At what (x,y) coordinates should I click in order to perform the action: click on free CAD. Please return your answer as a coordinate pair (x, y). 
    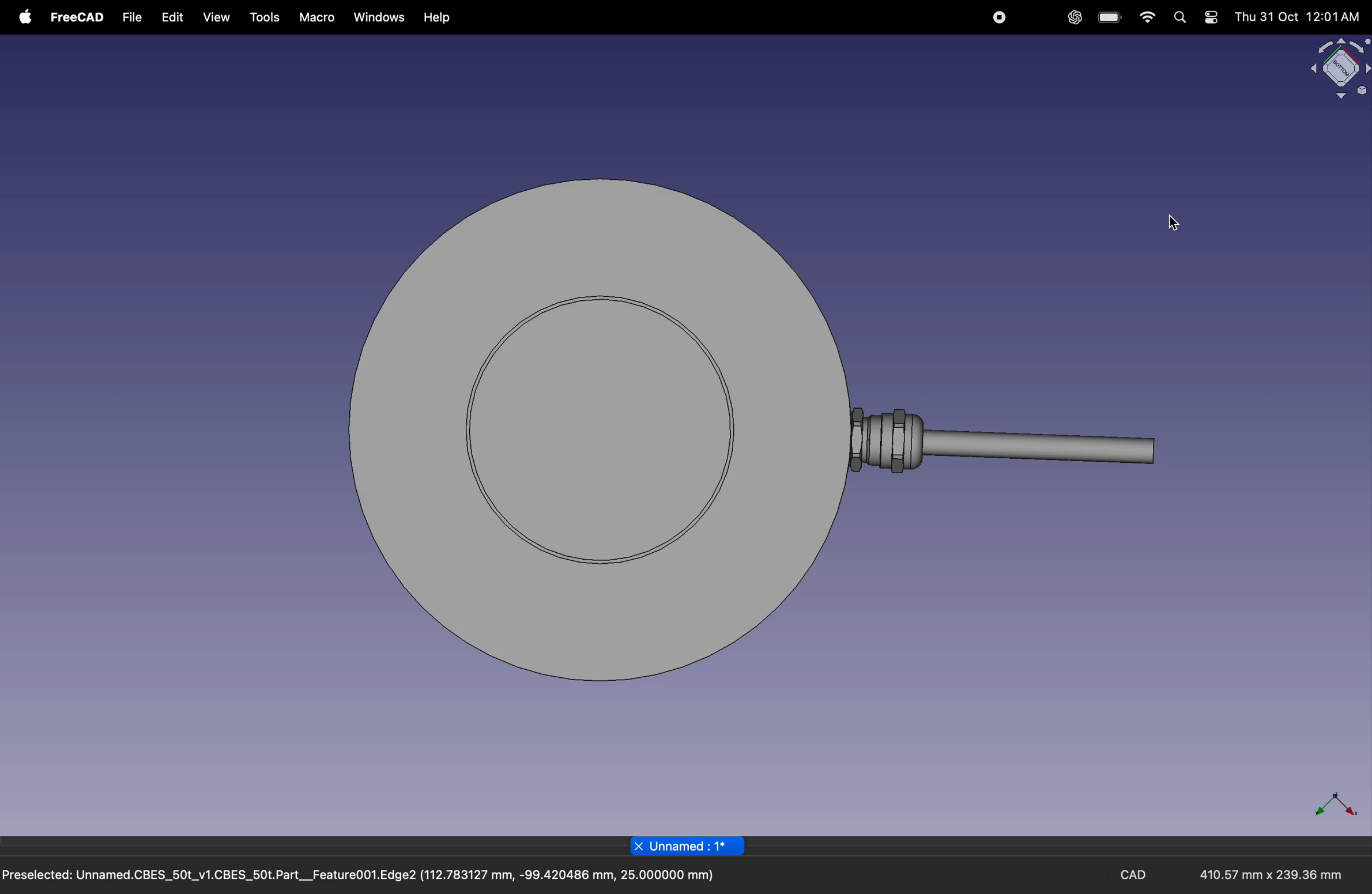
    Looking at the image, I should click on (77, 16).